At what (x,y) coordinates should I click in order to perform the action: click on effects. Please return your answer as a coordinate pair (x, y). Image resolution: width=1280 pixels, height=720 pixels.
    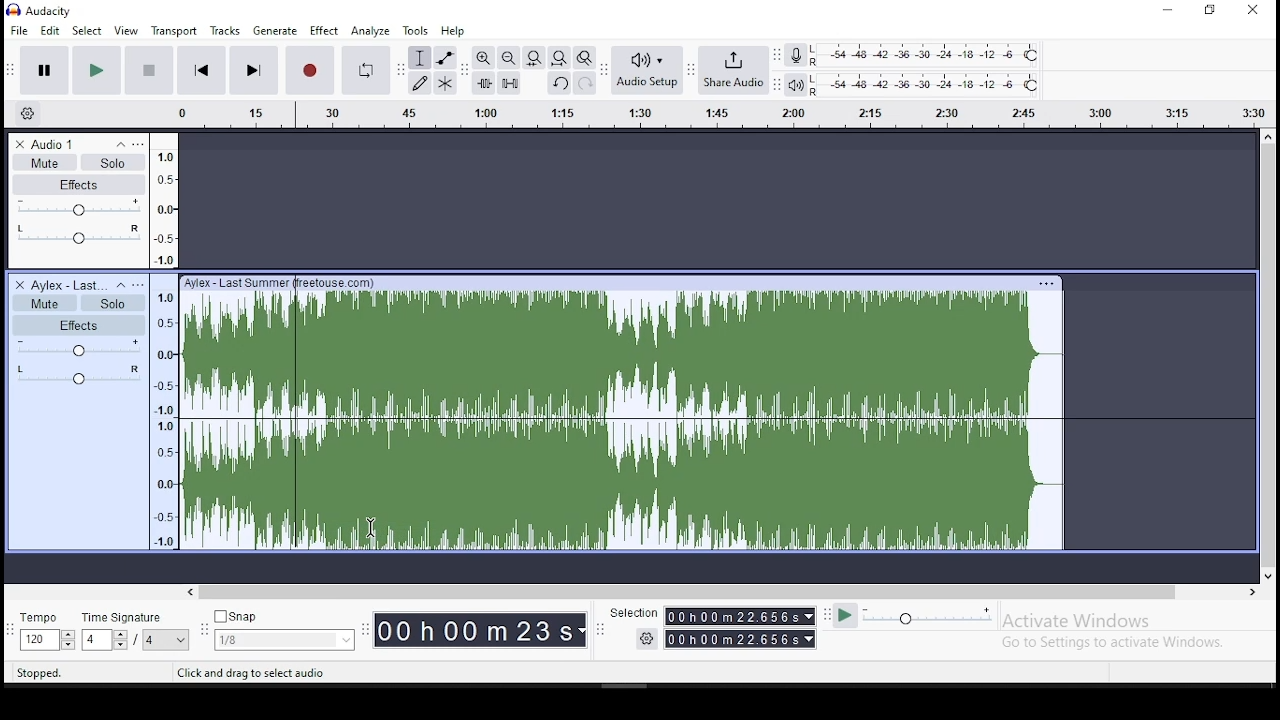
    Looking at the image, I should click on (80, 184).